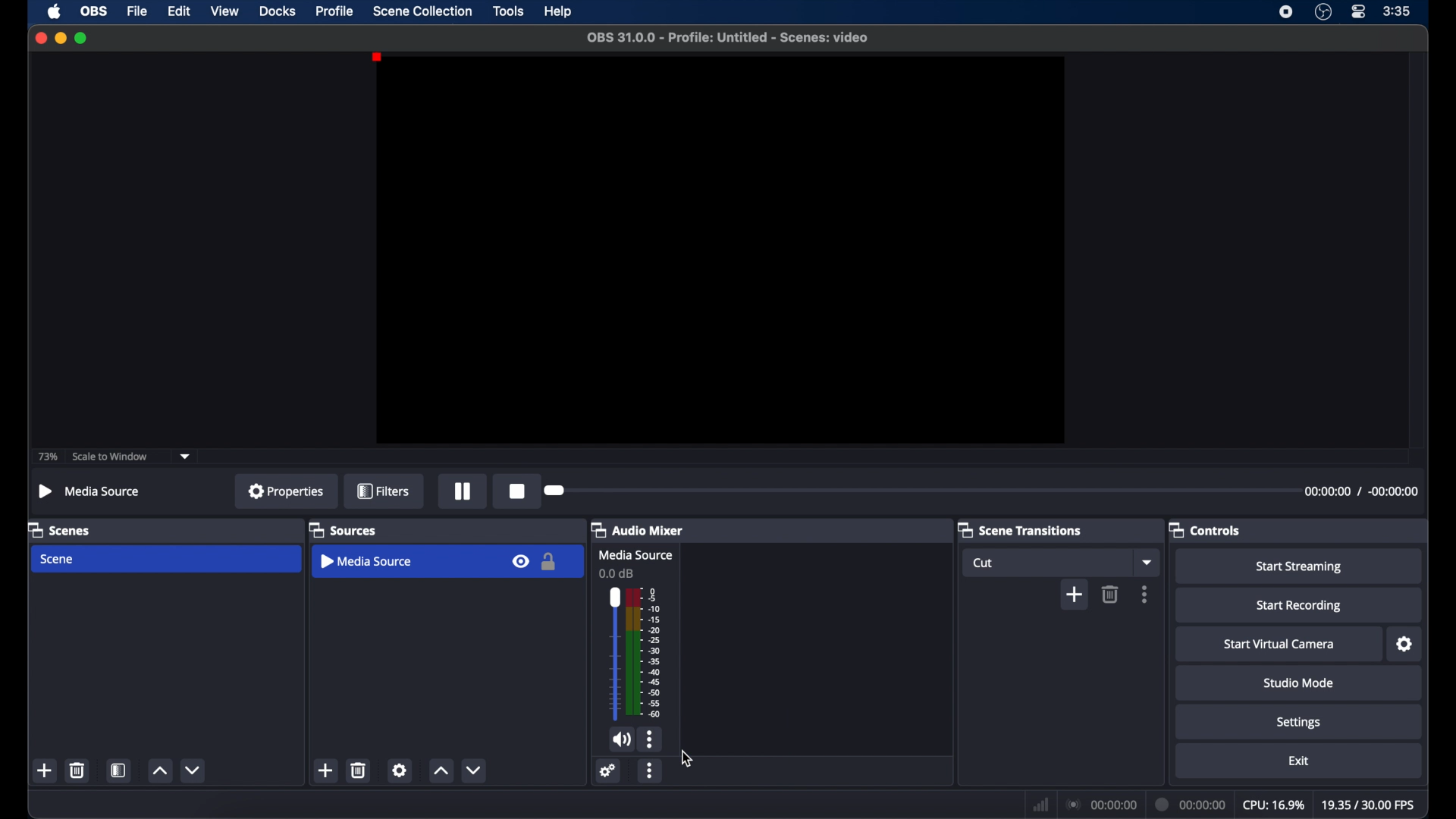 This screenshot has height=819, width=1456. I want to click on preview, so click(720, 250).